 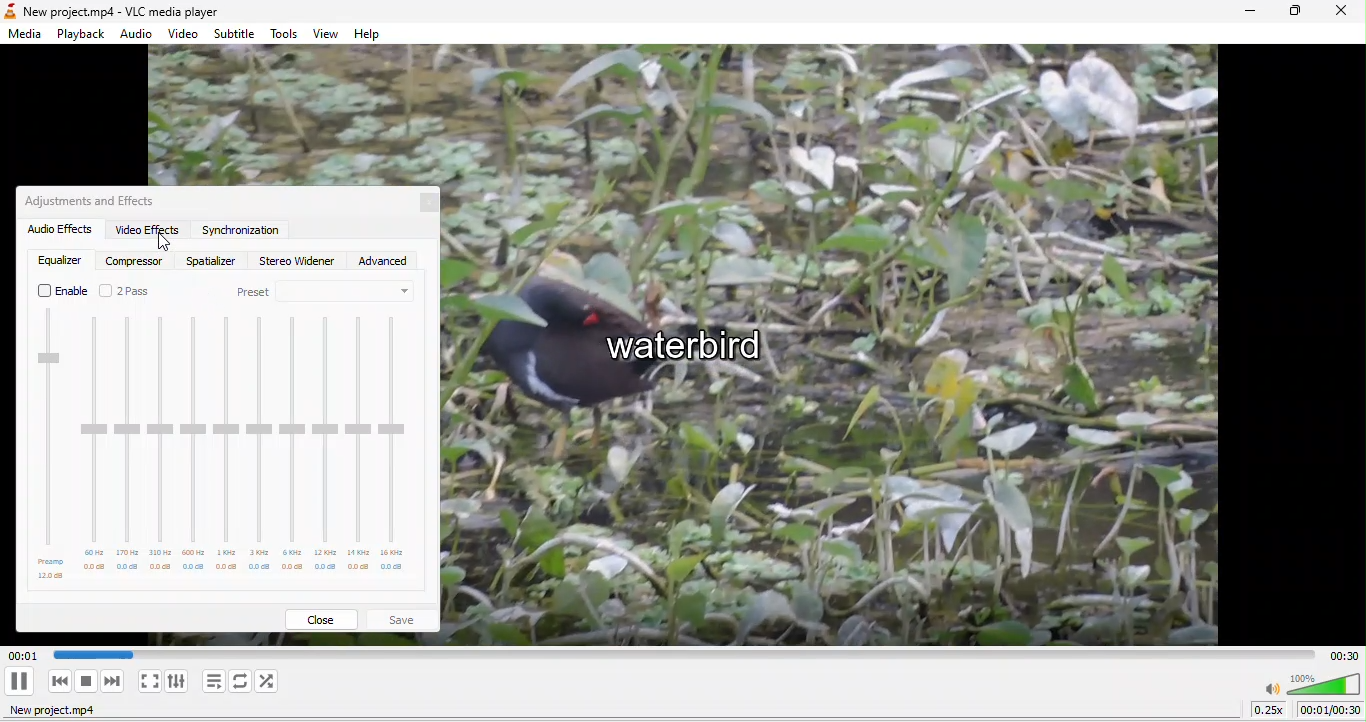 What do you see at coordinates (19, 681) in the screenshot?
I see `play` at bounding box center [19, 681].